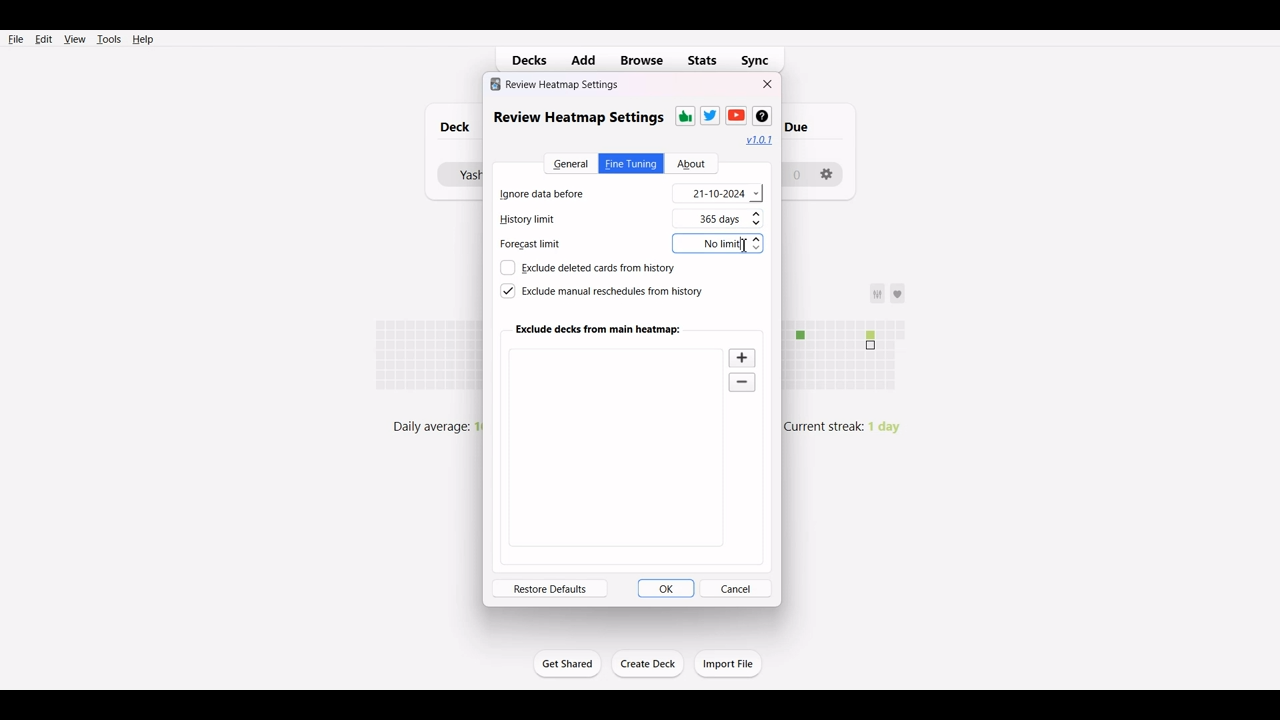  Describe the element at coordinates (108, 39) in the screenshot. I see `Tools` at that location.